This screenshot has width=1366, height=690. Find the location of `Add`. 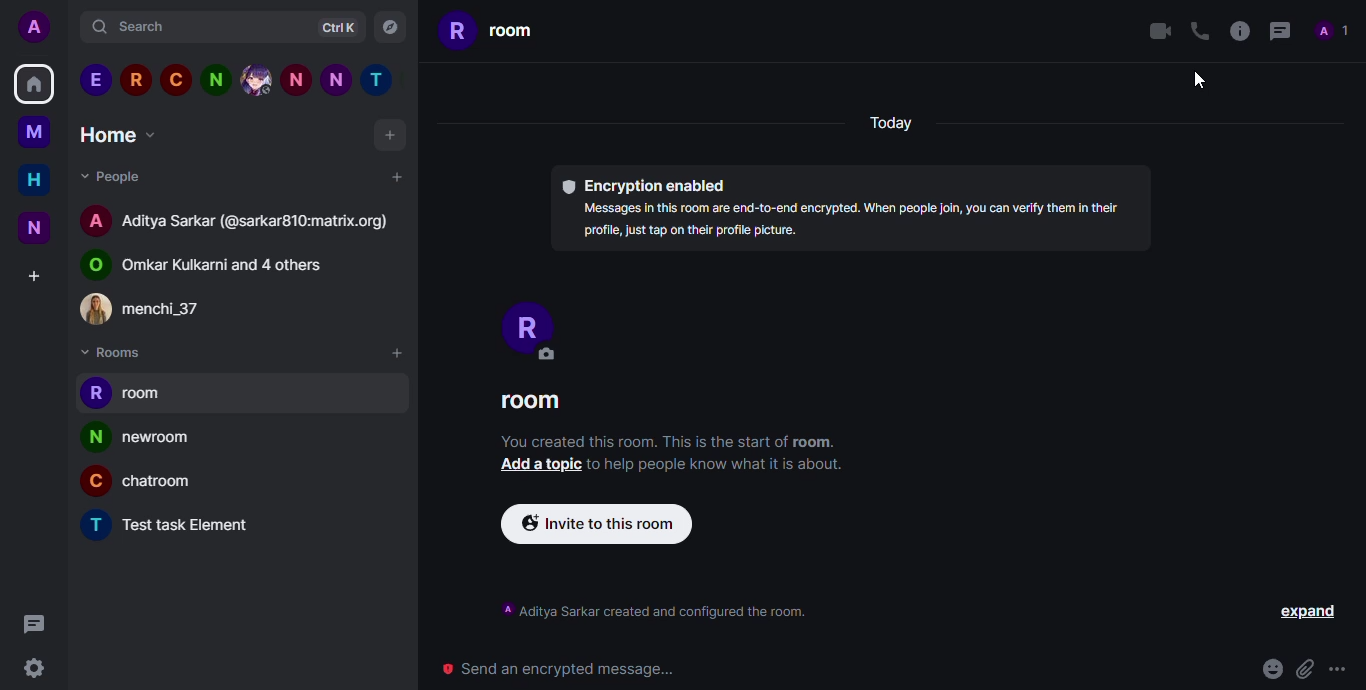

Add is located at coordinates (393, 136).